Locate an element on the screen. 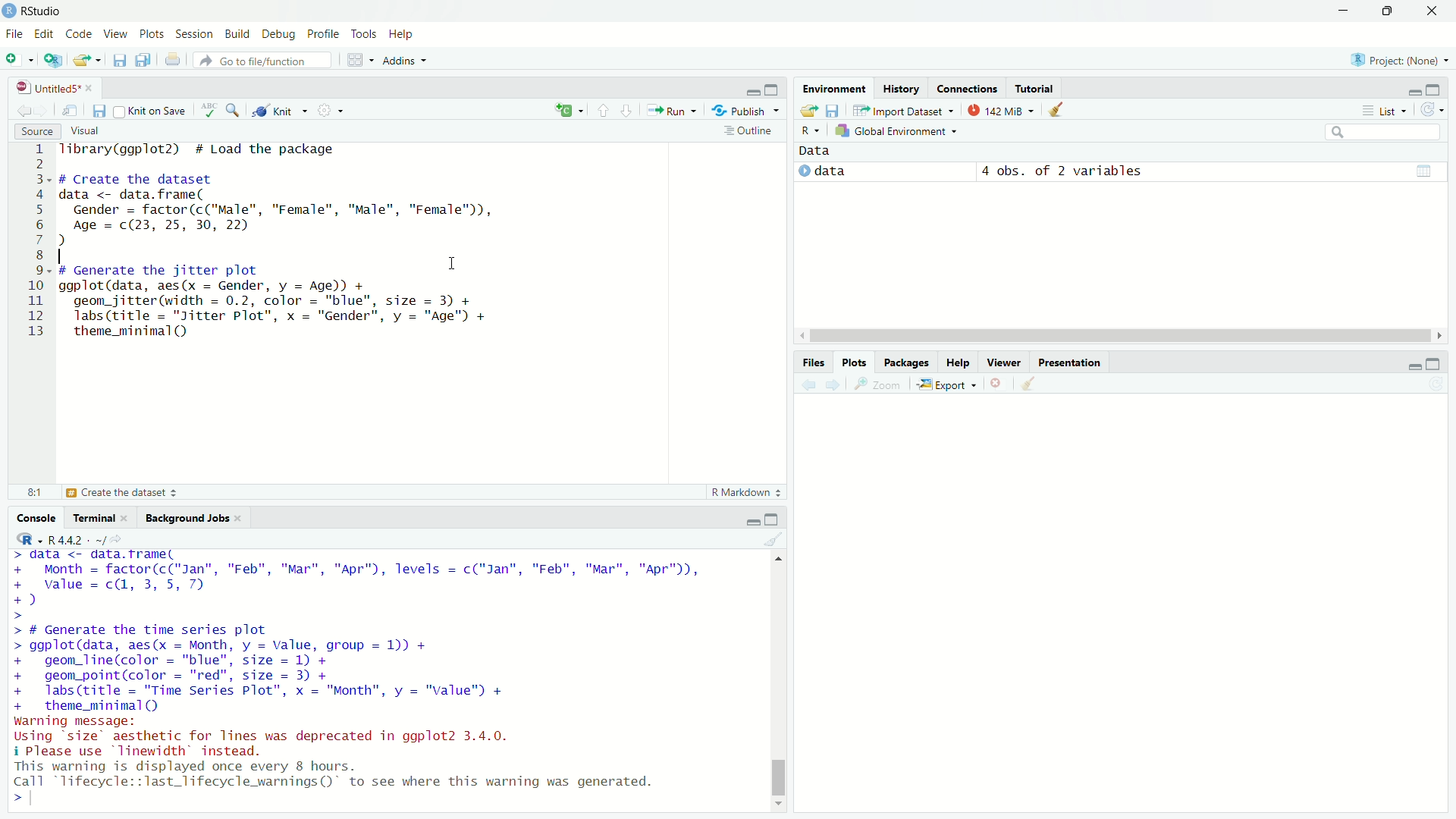 The height and width of the screenshot is (819, 1456). maximize is located at coordinates (1442, 89).